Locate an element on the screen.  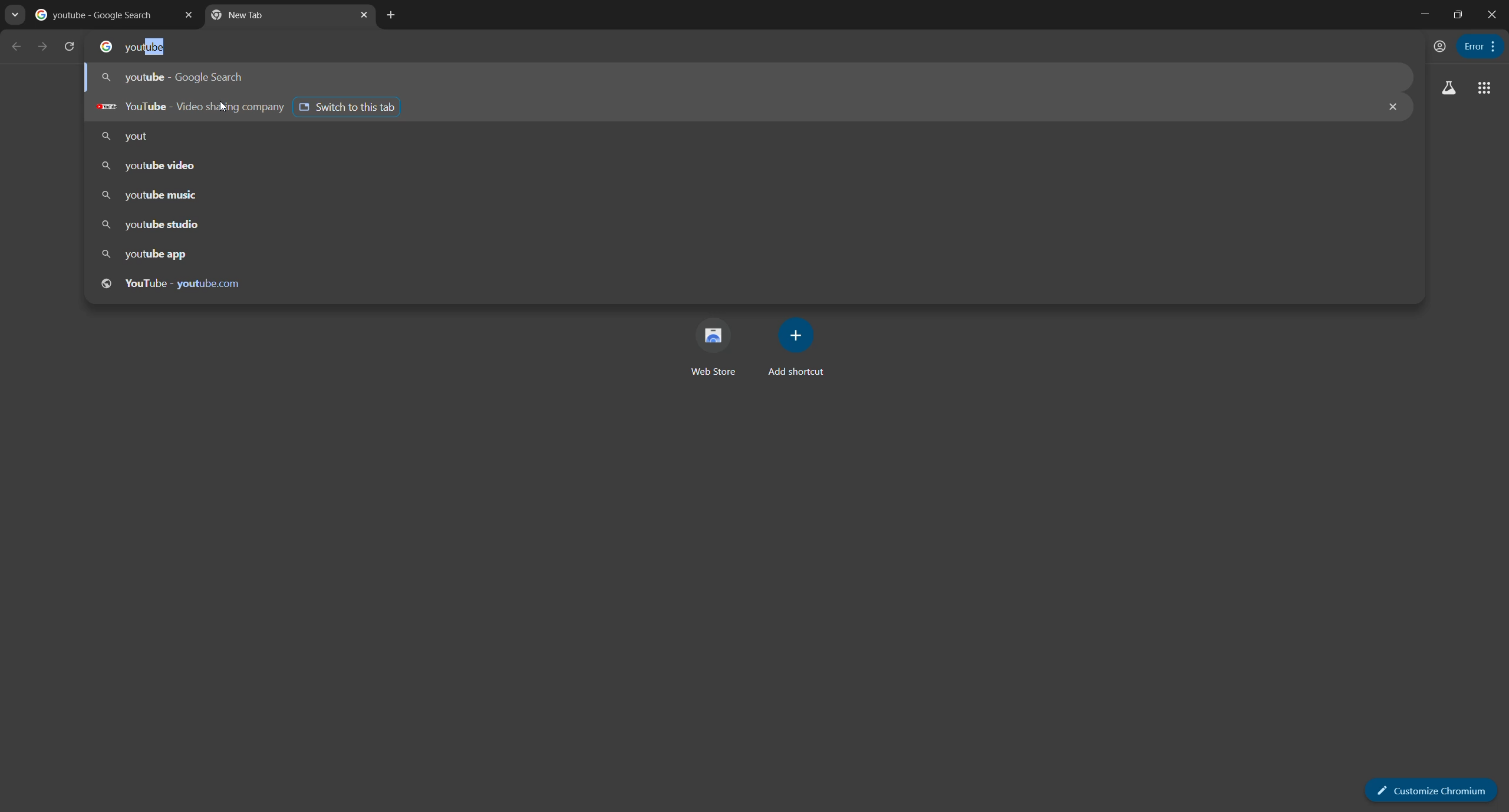
web store shortcut is located at coordinates (710, 350).